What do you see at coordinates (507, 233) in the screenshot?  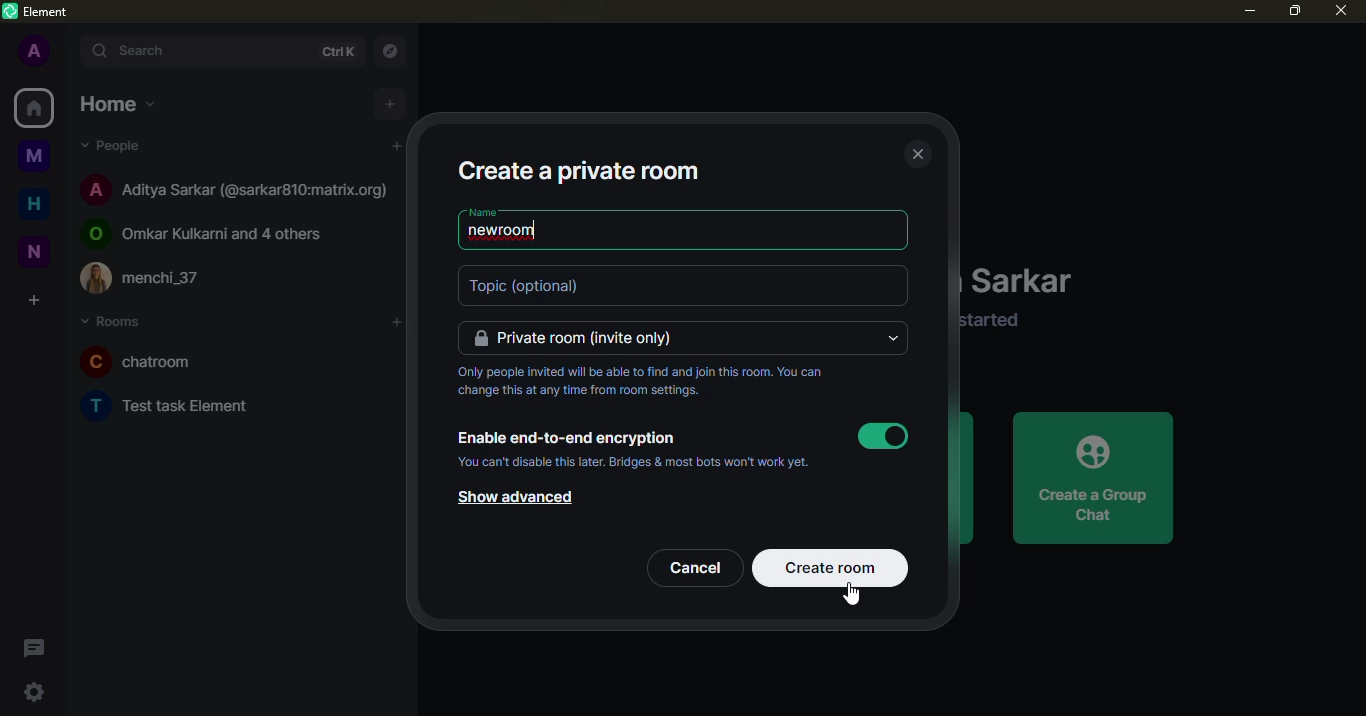 I see `newroom` at bounding box center [507, 233].